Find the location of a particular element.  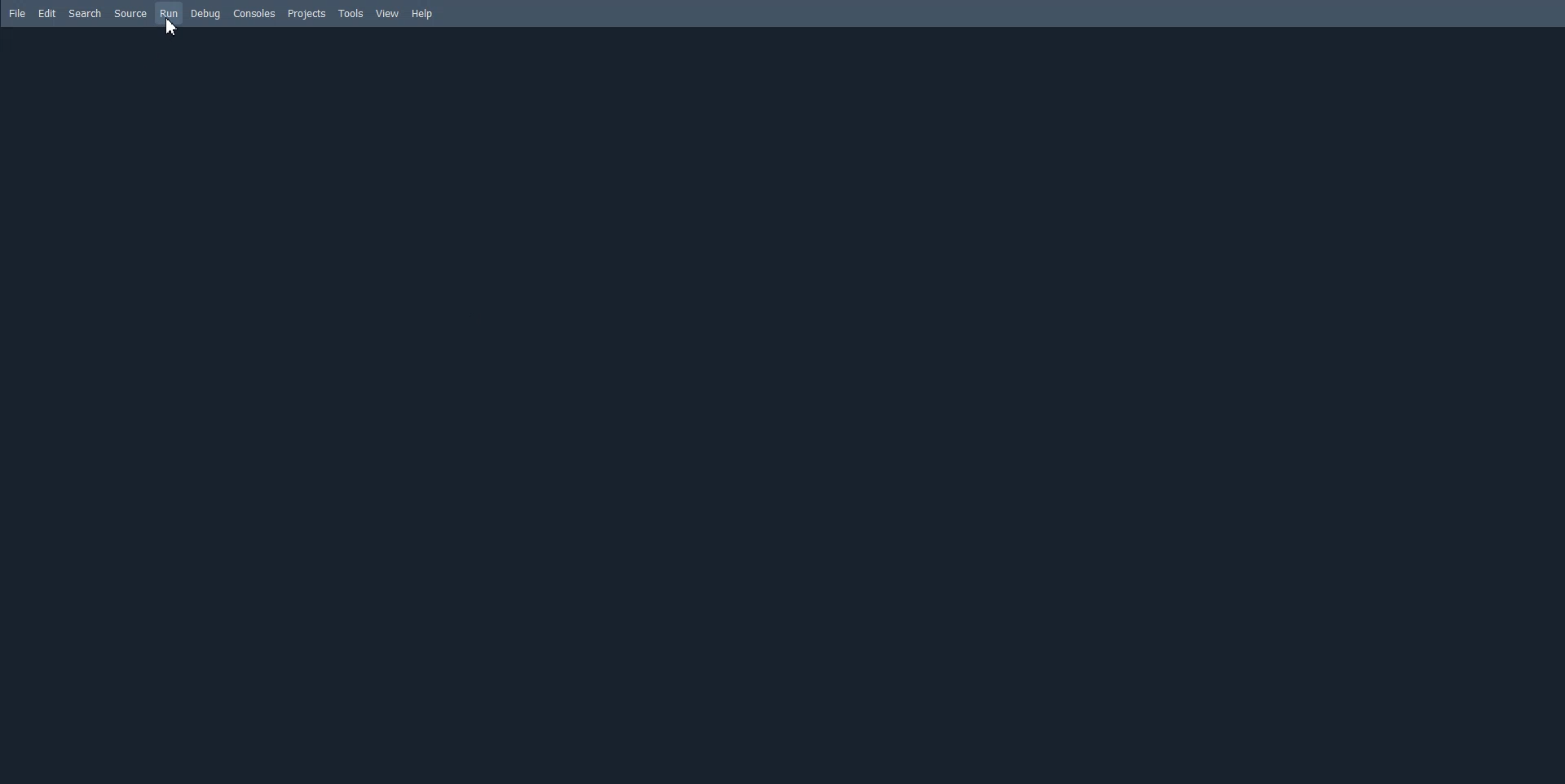

Search is located at coordinates (85, 14).